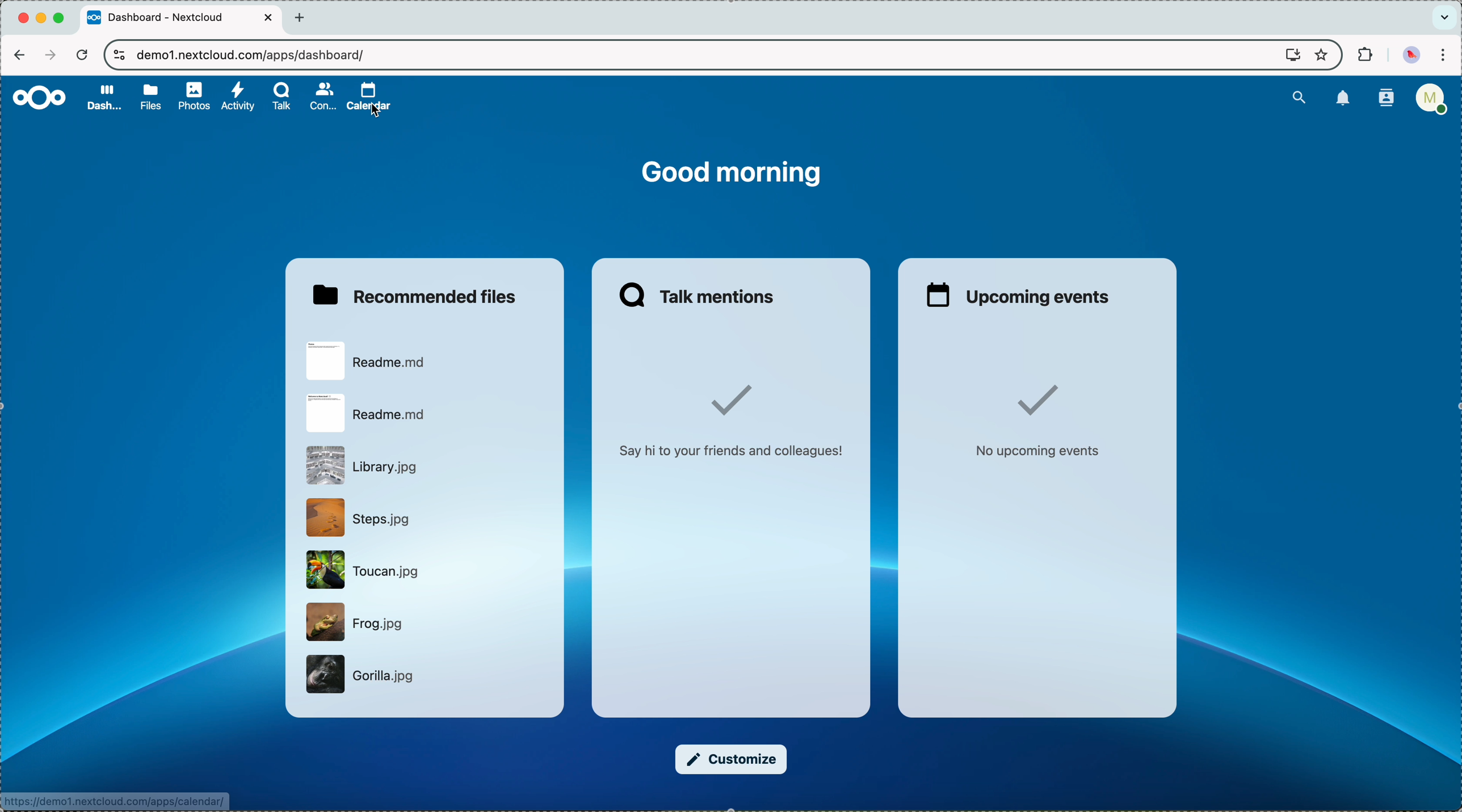 Image resolution: width=1462 pixels, height=812 pixels. What do you see at coordinates (1444, 18) in the screenshot?
I see `search tabs` at bounding box center [1444, 18].